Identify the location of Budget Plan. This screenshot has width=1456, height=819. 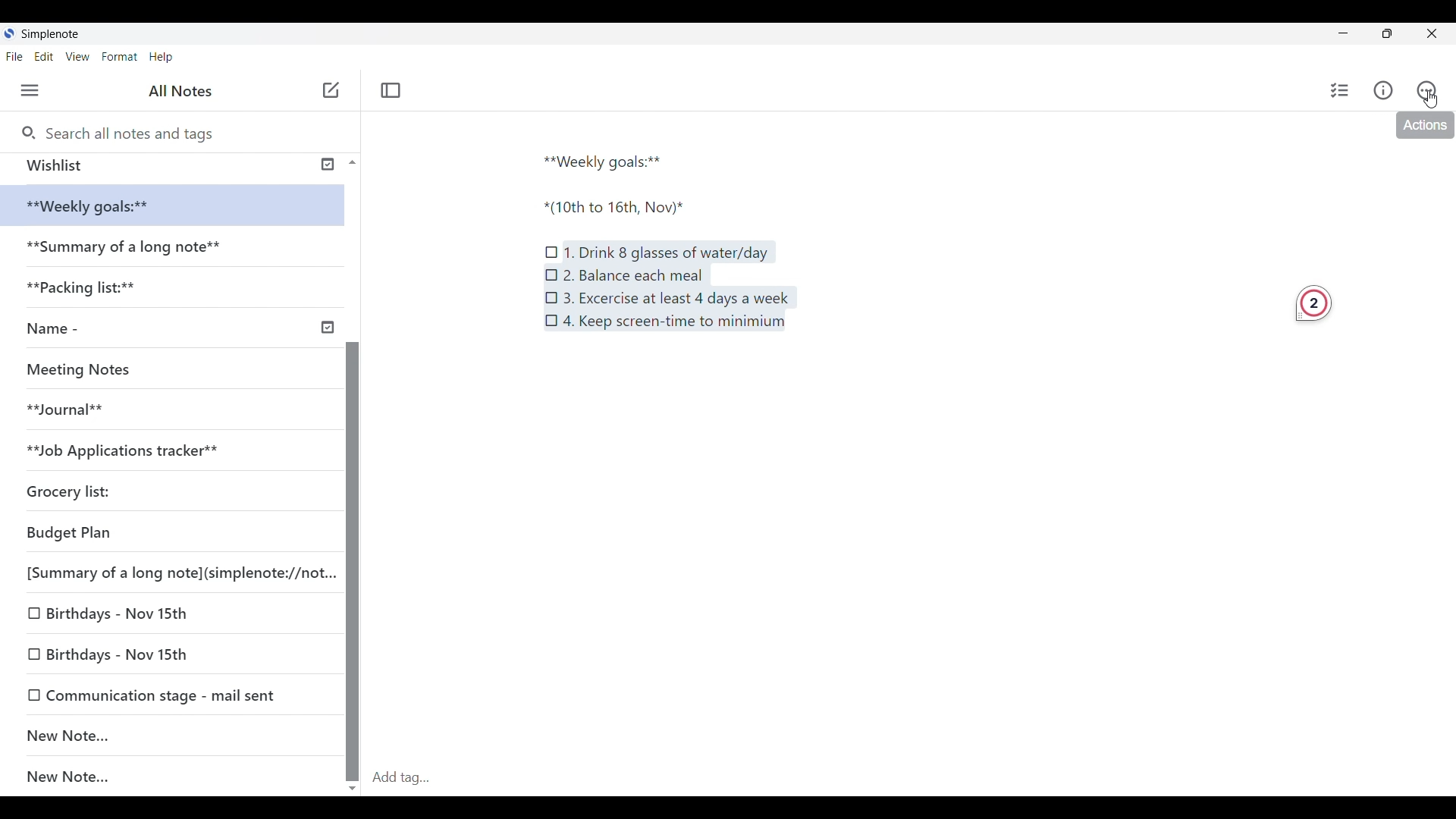
(143, 529).